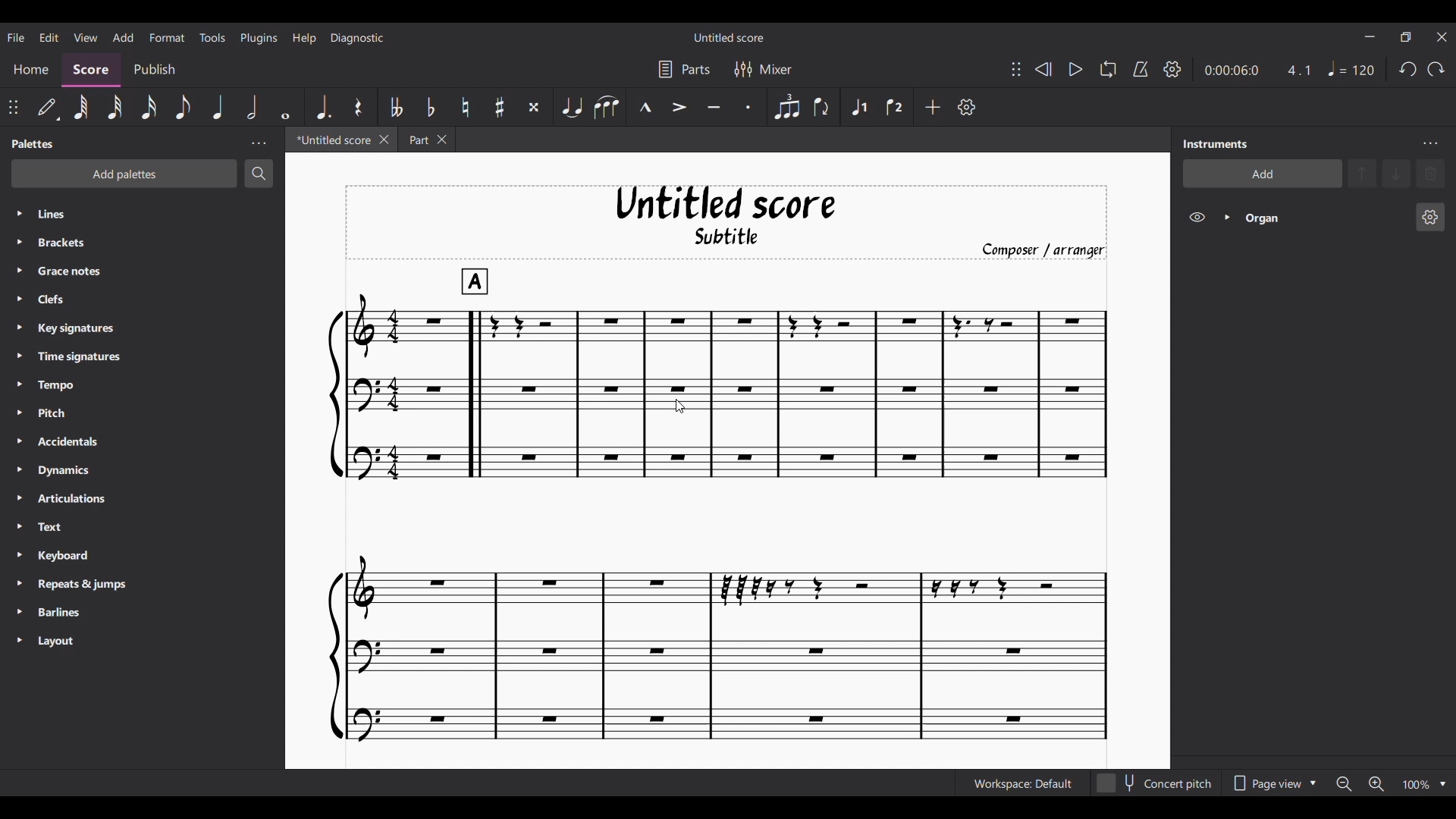  What do you see at coordinates (30, 70) in the screenshot?
I see `Home section` at bounding box center [30, 70].